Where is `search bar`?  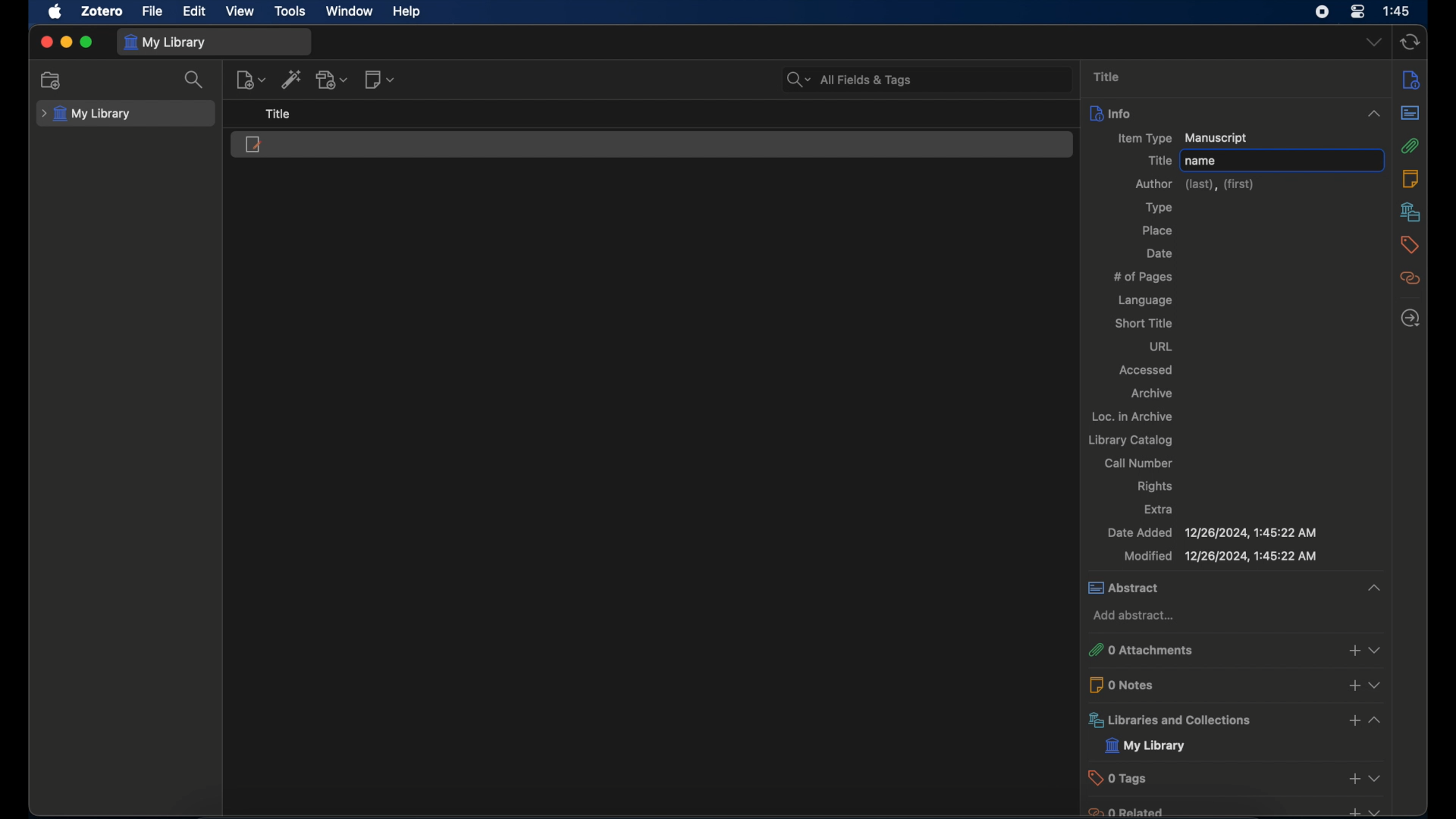 search bar is located at coordinates (849, 80).